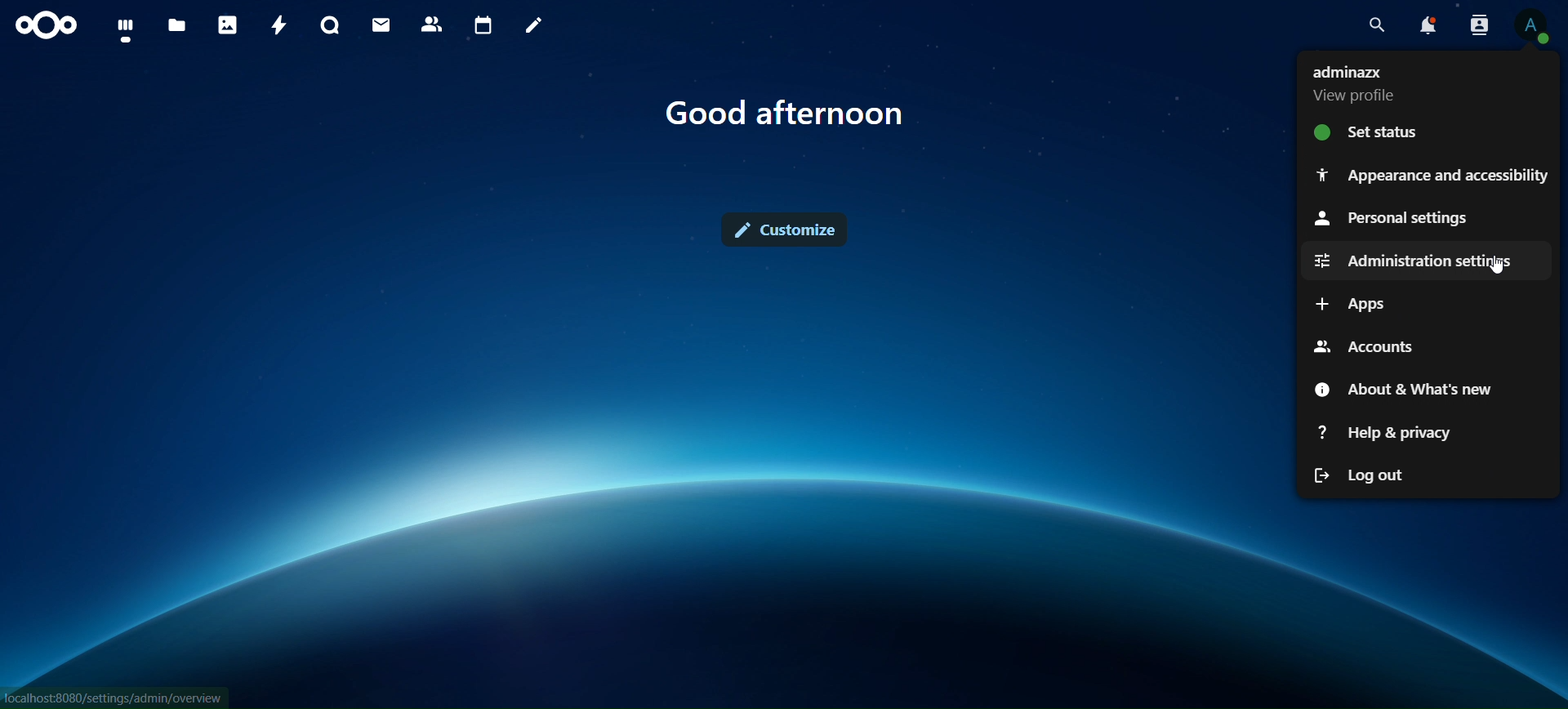  Describe the element at coordinates (432, 25) in the screenshot. I see `contacts` at that location.